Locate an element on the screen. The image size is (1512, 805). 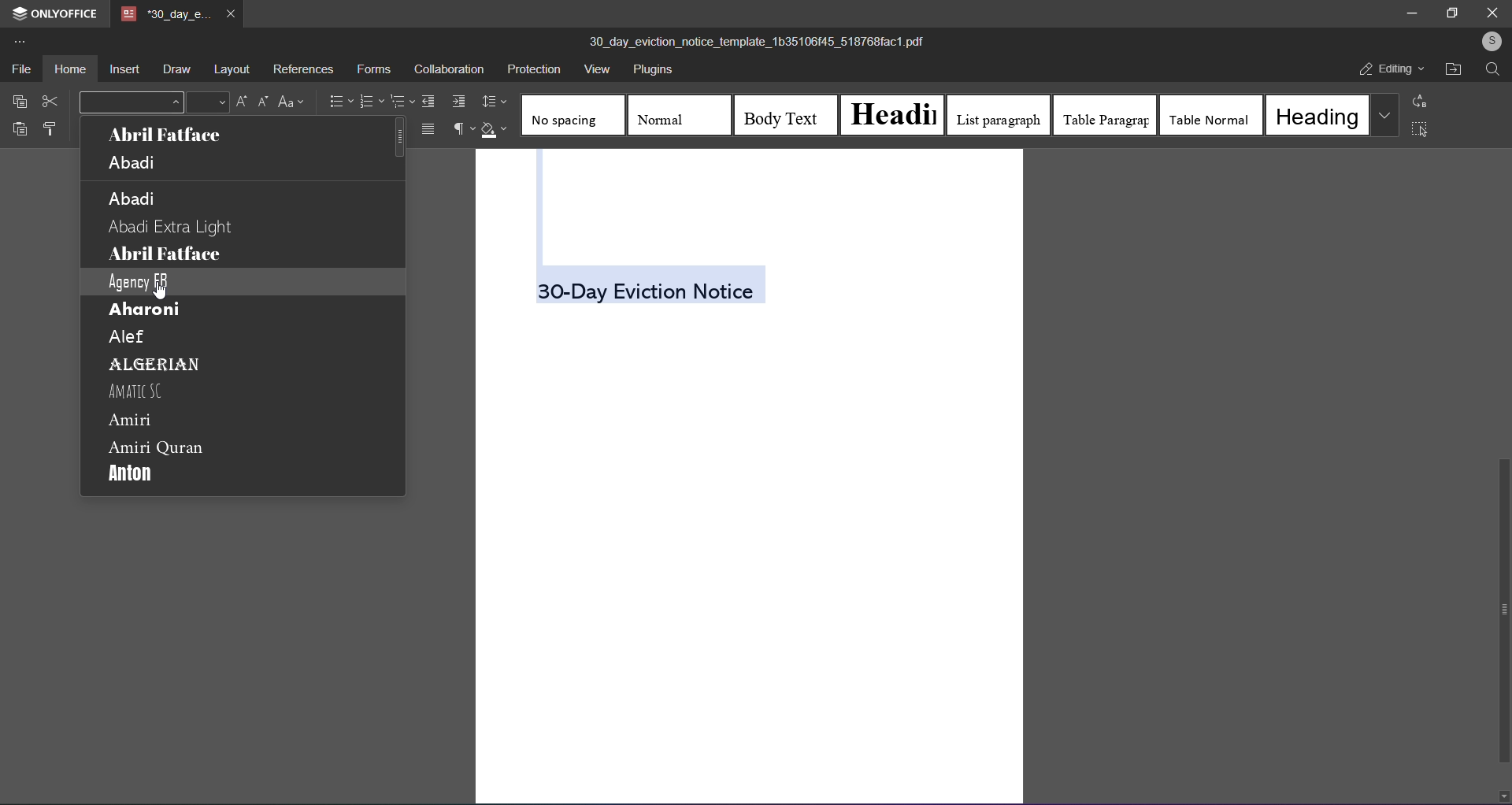
collaboration is located at coordinates (447, 69).